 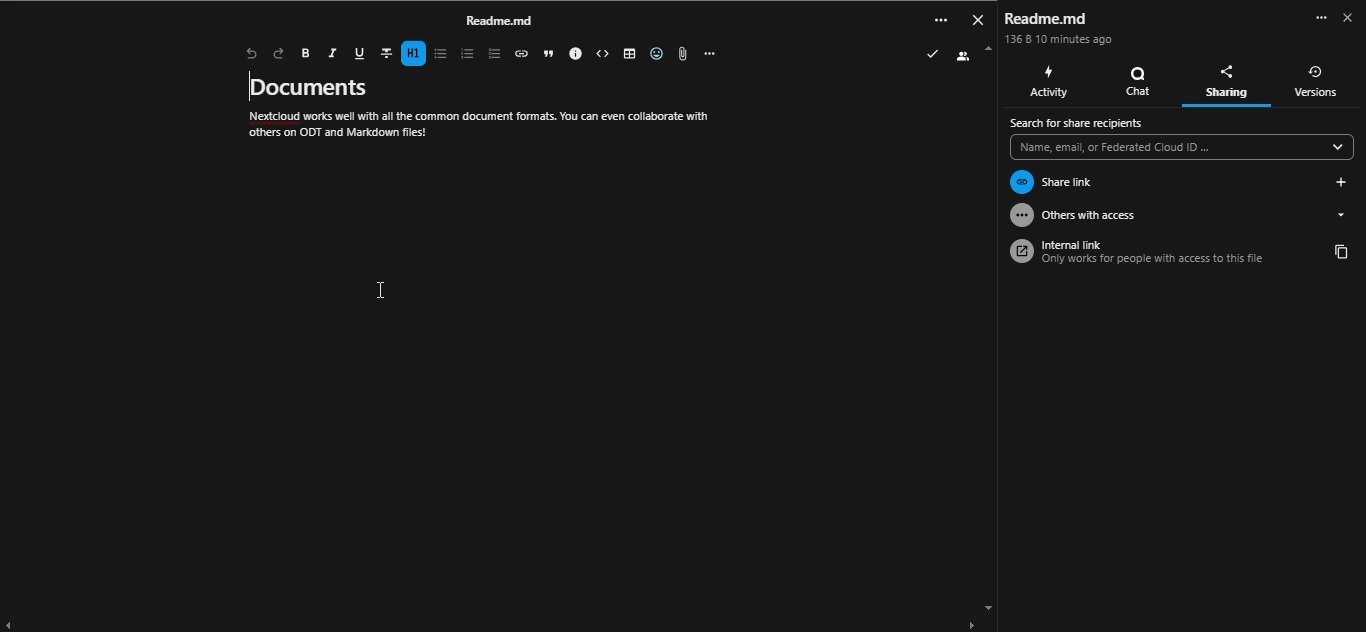 What do you see at coordinates (987, 607) in the screenshot?
I see `scroll down` at bounding box center [987, 607].